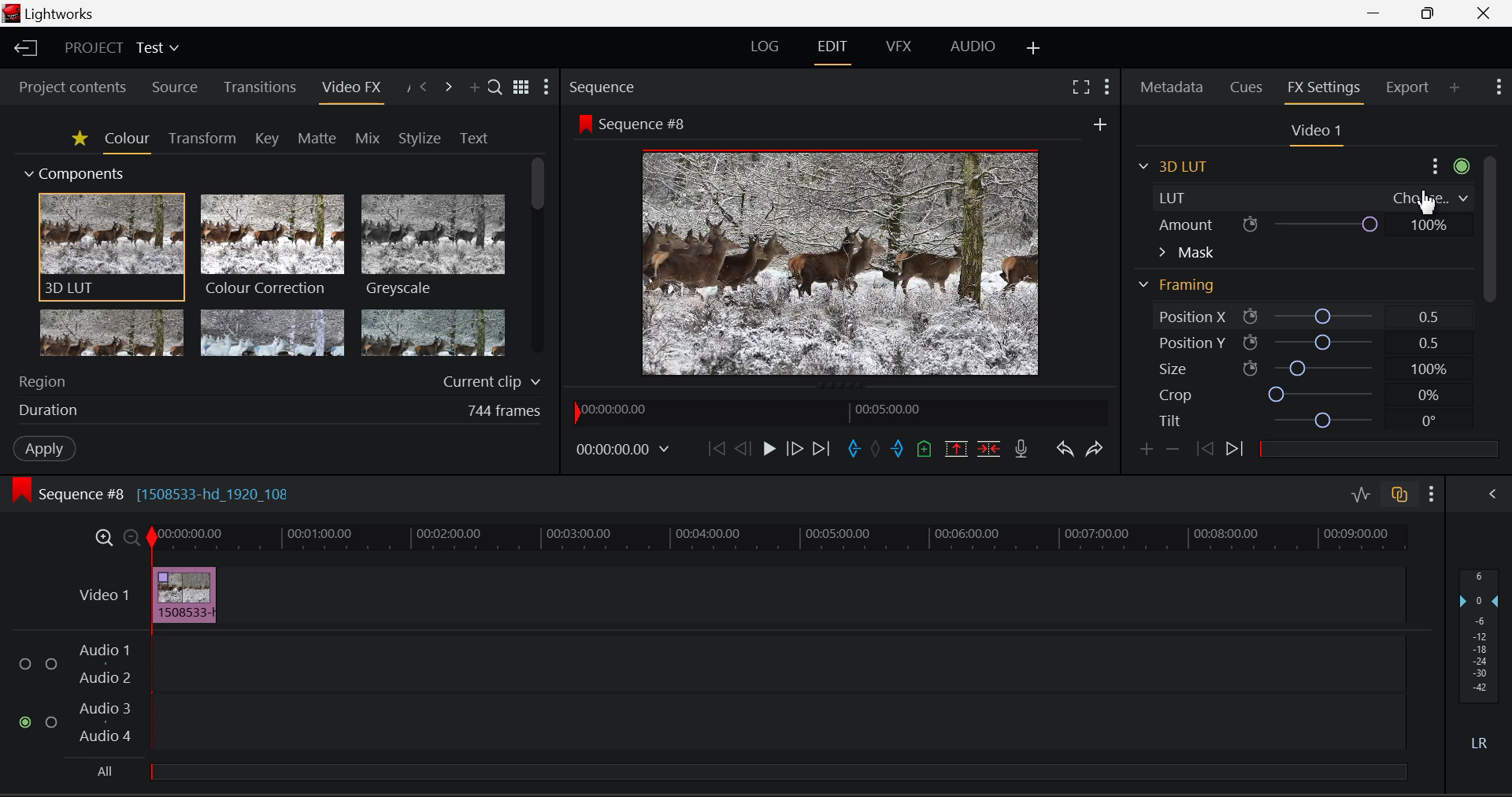 The width and height of the screenshot is (1512, 797). Describe the element at coordinates (837, 265) in the screenshot. I see `Sequence Preview Screen` at that location.